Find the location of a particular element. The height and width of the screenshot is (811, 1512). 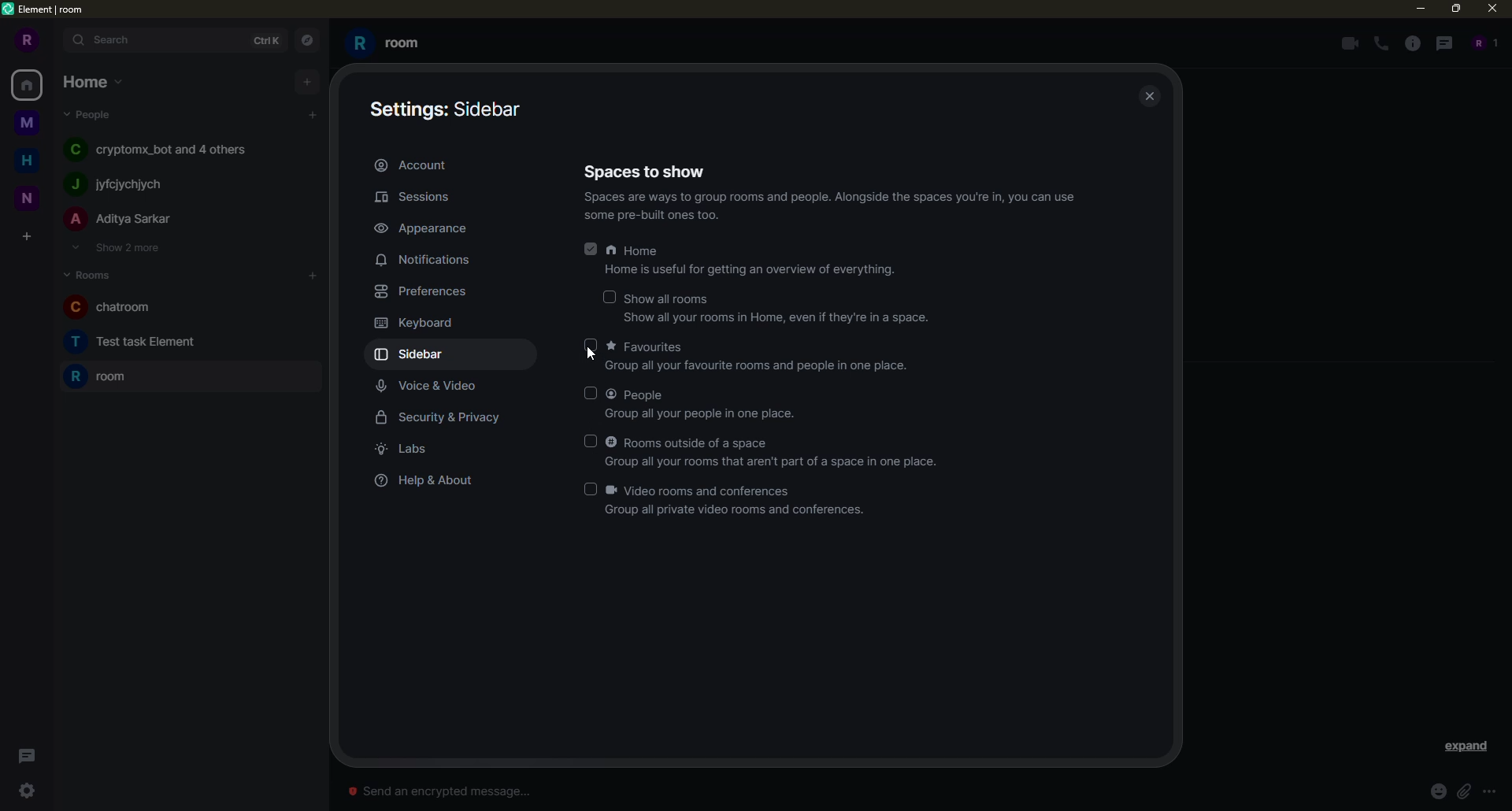

sidebar is located at coordinates (449, 109).